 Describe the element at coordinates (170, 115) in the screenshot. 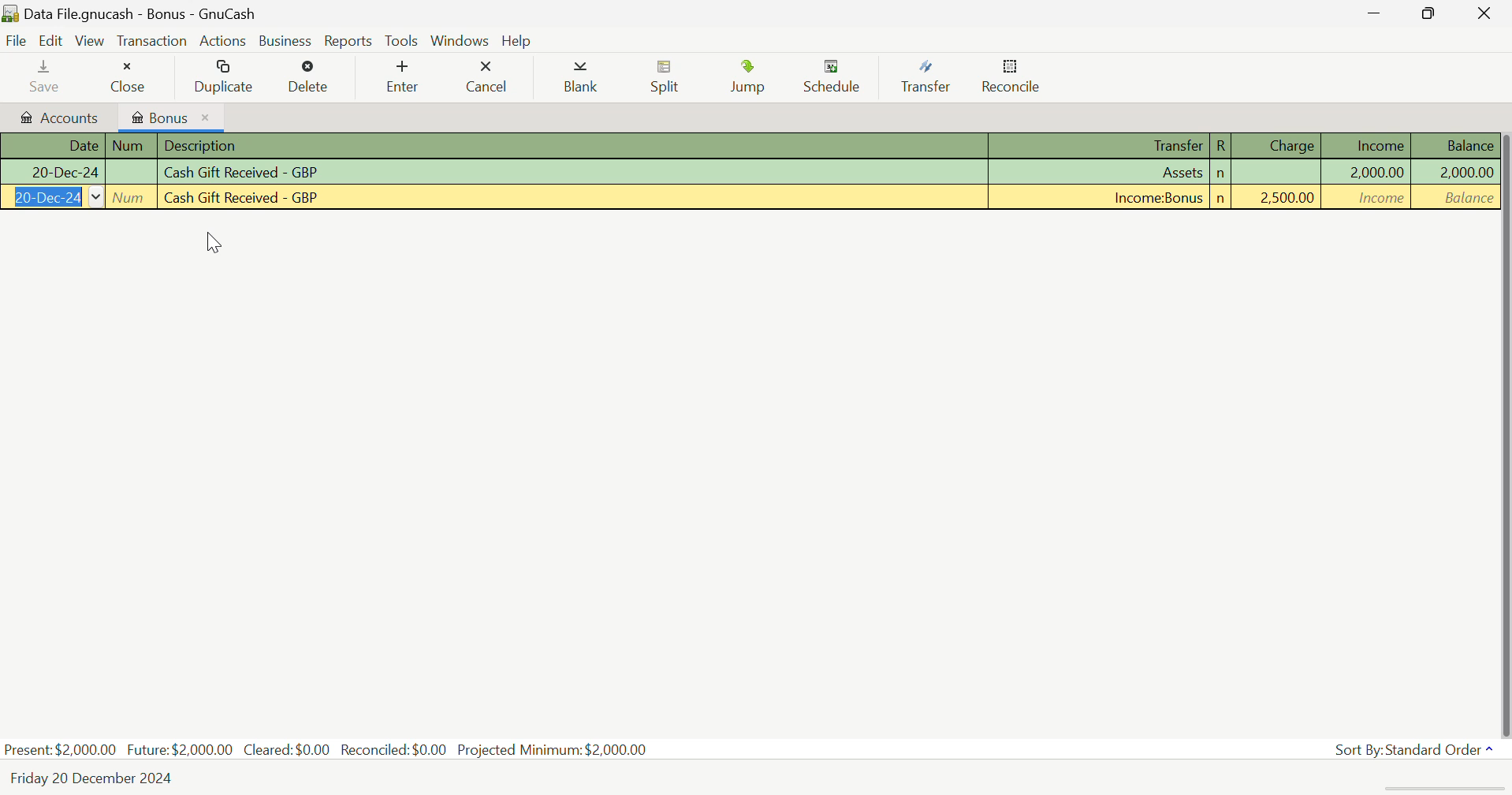

I see `Bonus Tab` at that location.